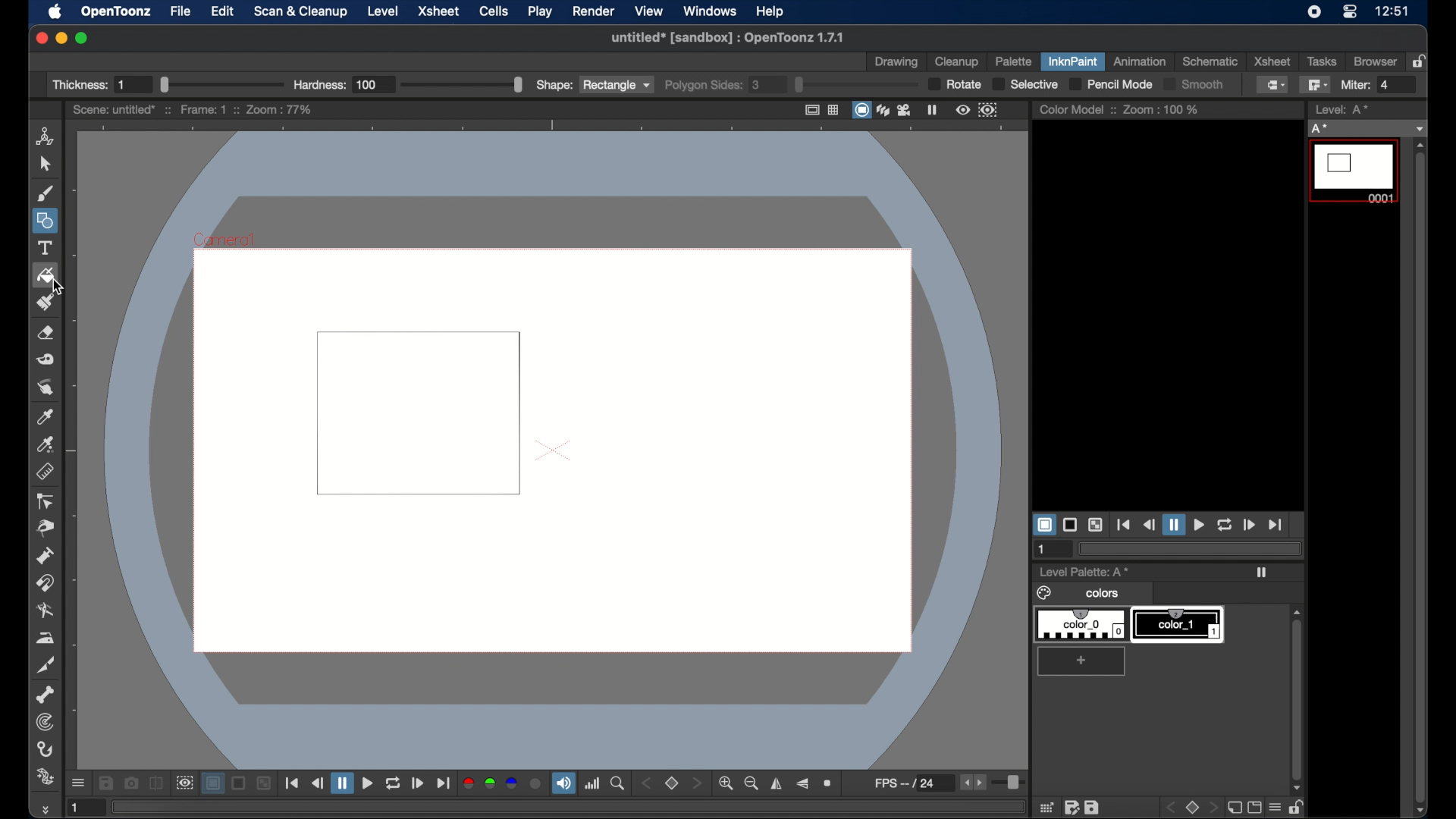  Describe the element at coordinates (1254, 807) in the screenshot. I see `screen` at that location.